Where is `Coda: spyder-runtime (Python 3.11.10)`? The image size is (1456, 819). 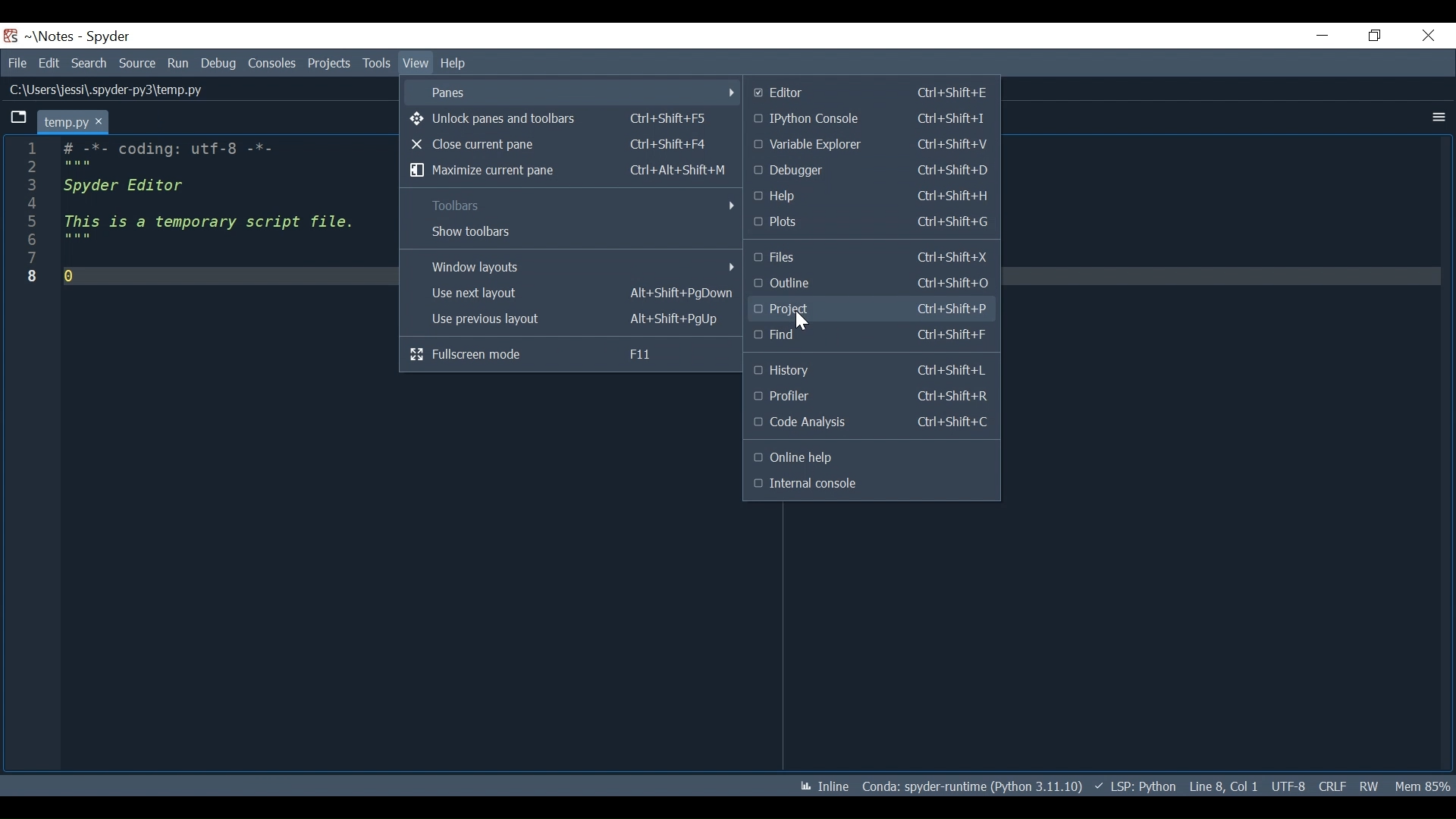
Coda: spyder-runtime (Python 3.11.10) is located at coordinates (974, 789).